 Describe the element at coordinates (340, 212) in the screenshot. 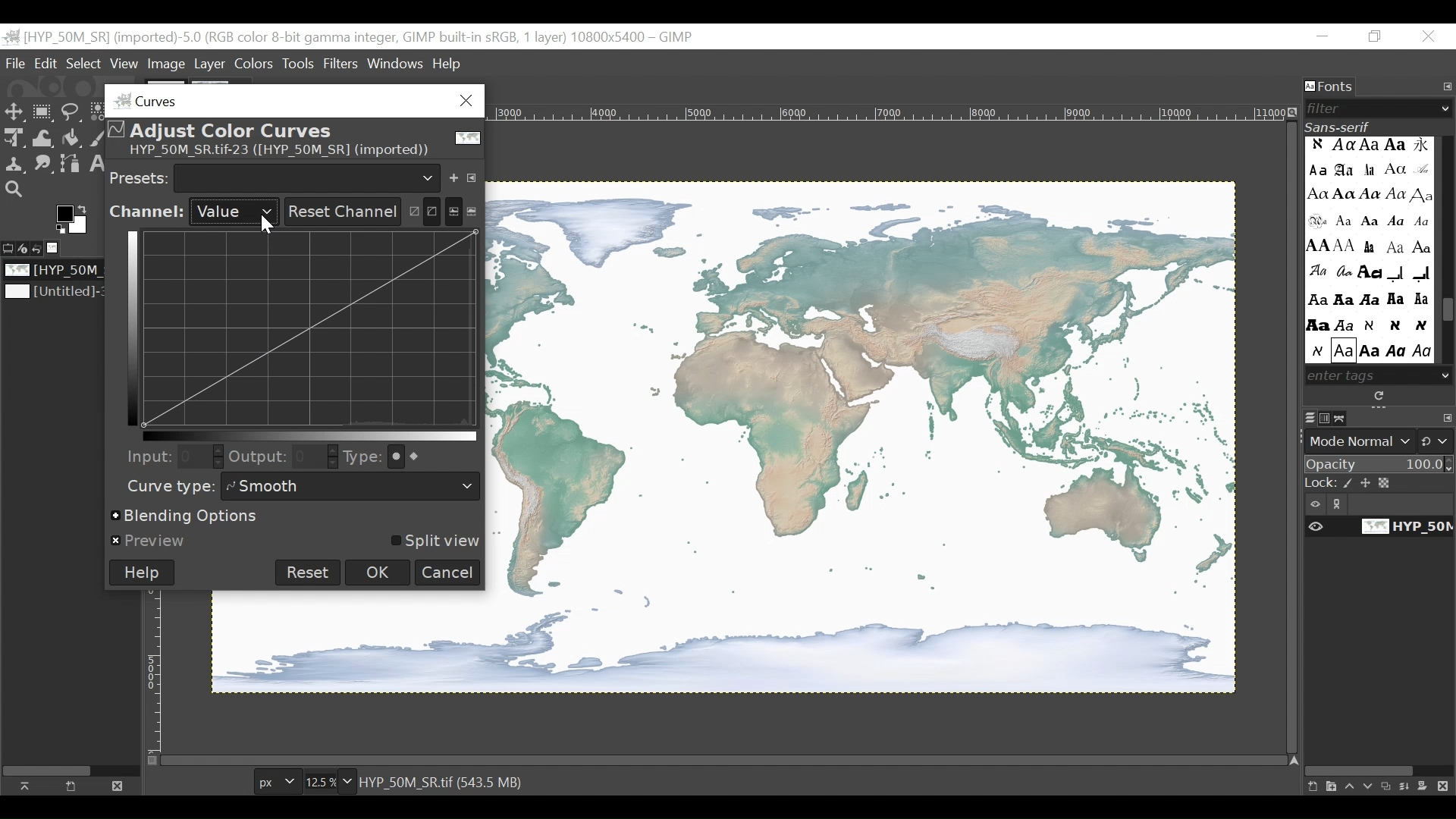

I see `Reset Channel` at that location.